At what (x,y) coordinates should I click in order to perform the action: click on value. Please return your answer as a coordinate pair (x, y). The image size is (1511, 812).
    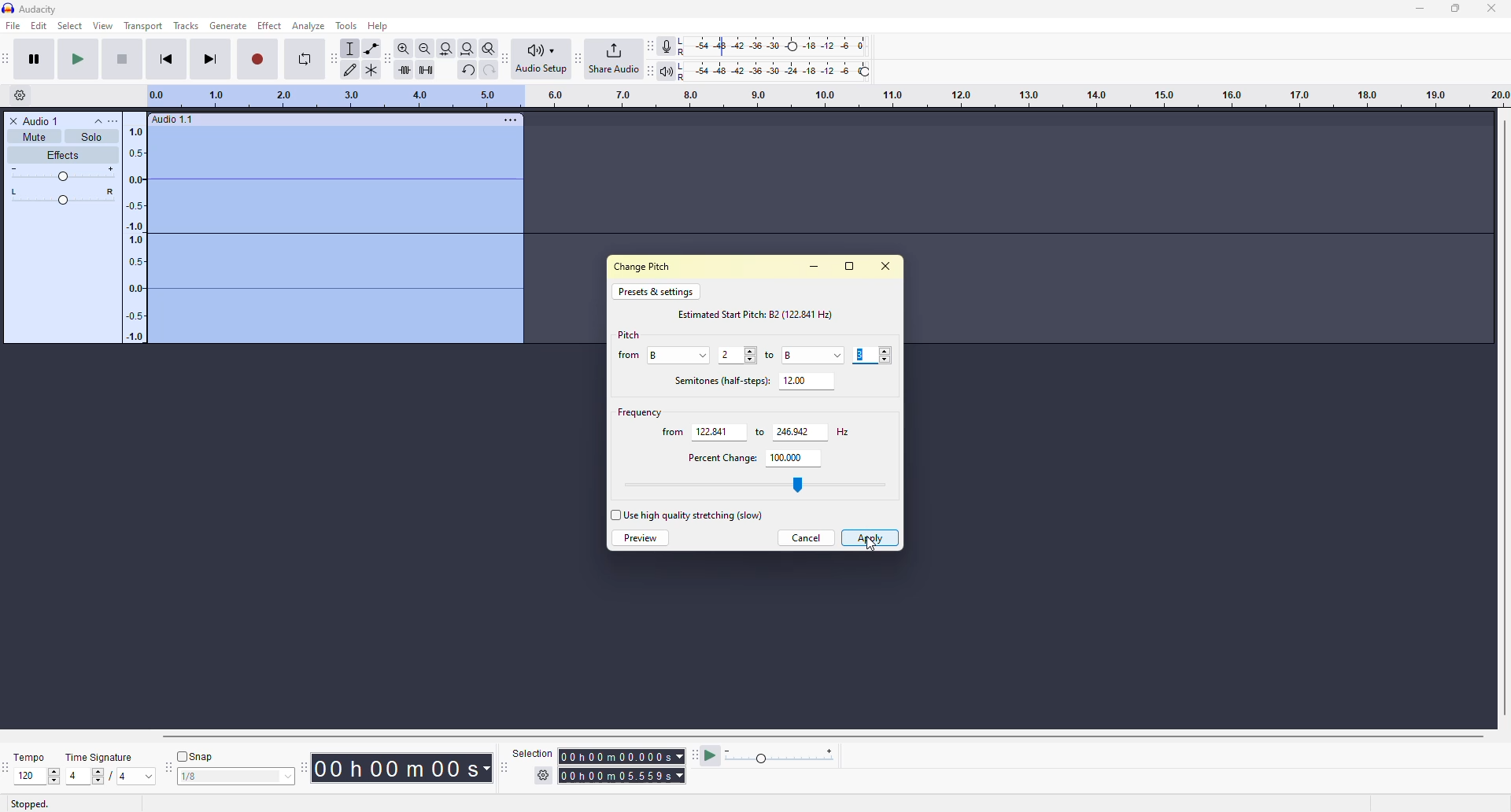
    Looking at the image, I should click on (792, 354).